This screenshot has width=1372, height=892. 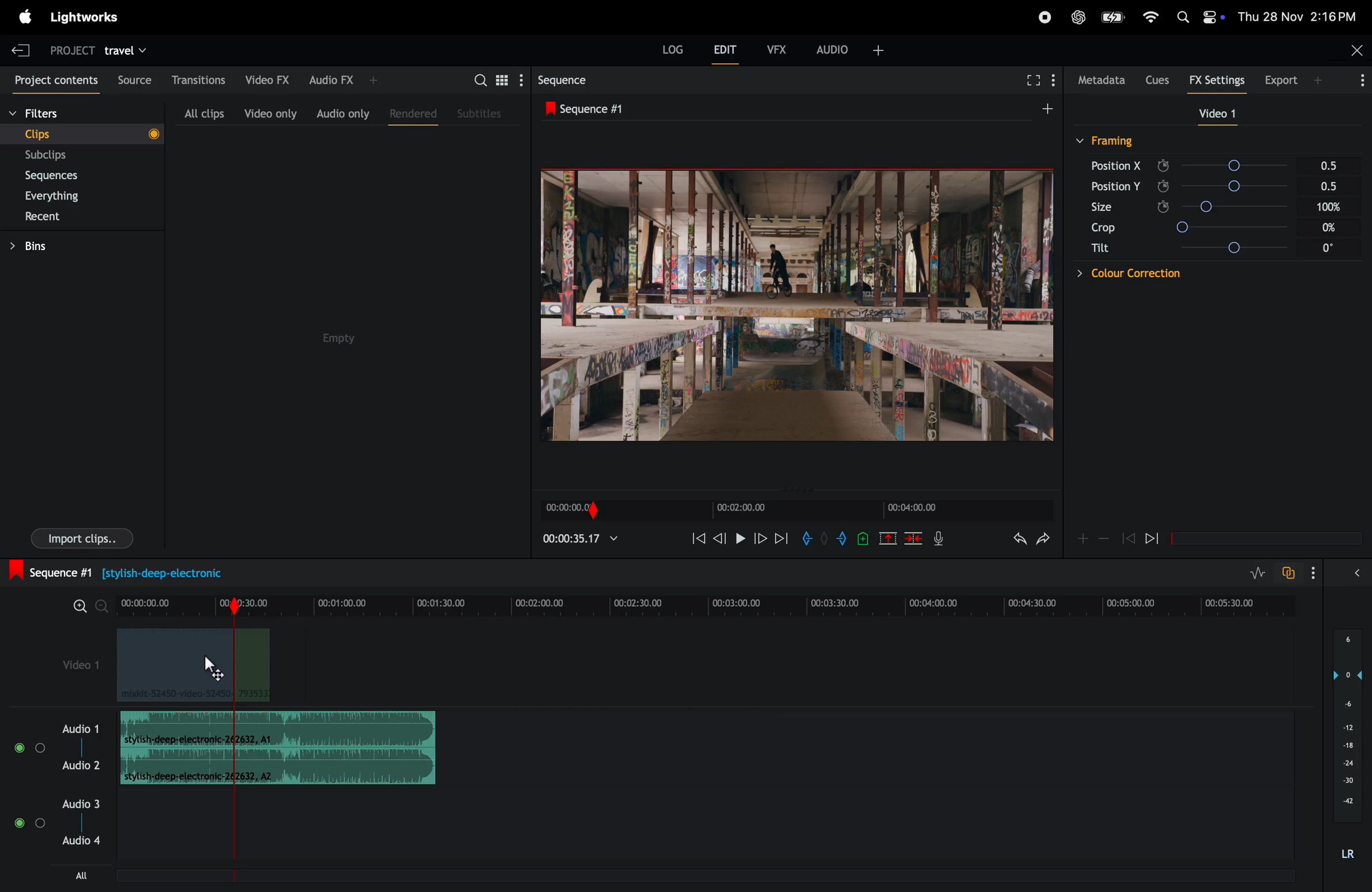 What do you see at coordinates (742, 540) in the screenshot?
I see `play pause` at bounding box center [742, 540].